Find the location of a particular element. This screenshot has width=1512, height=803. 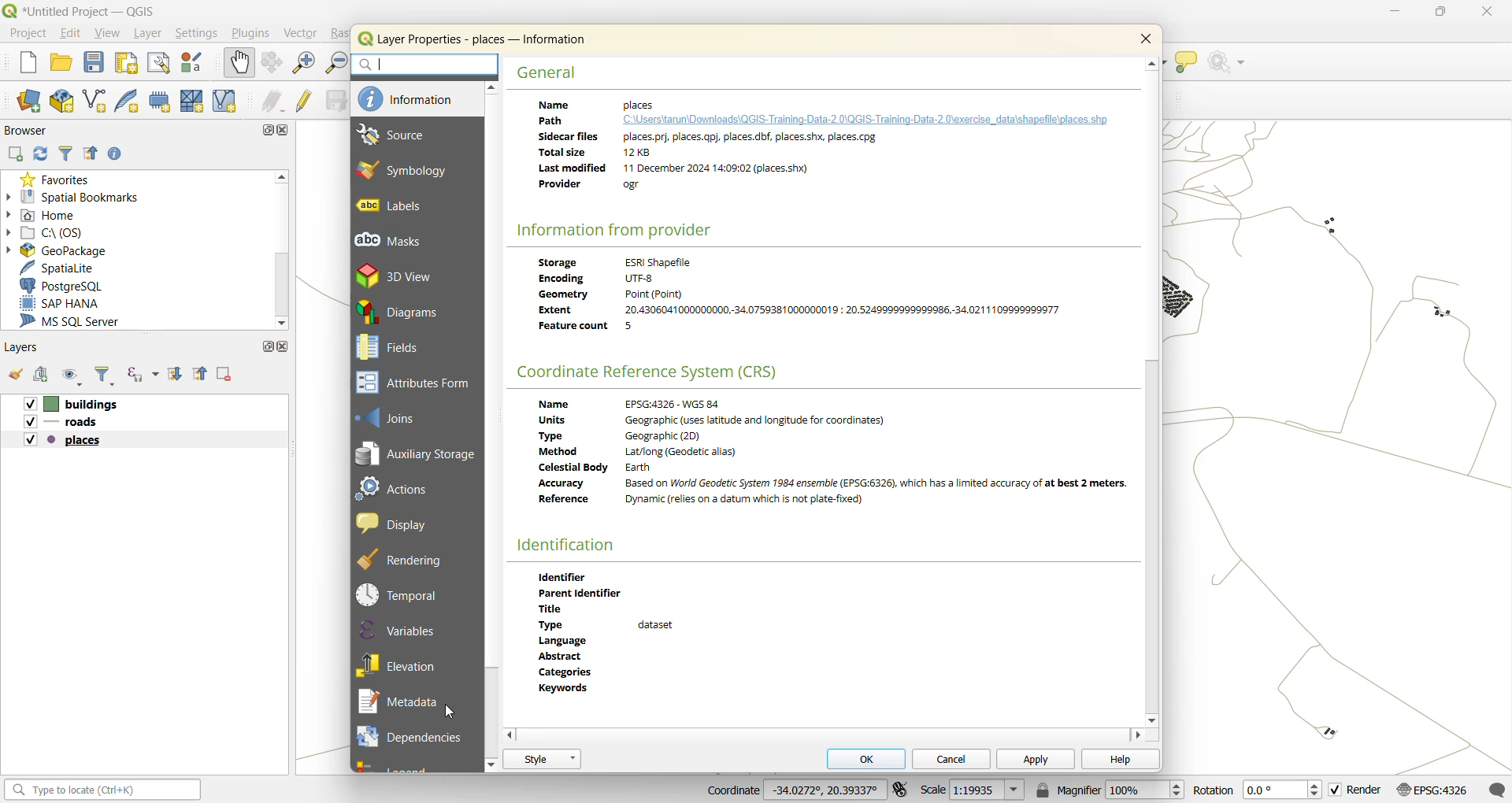

style manager is located at coordinates (195, 64).